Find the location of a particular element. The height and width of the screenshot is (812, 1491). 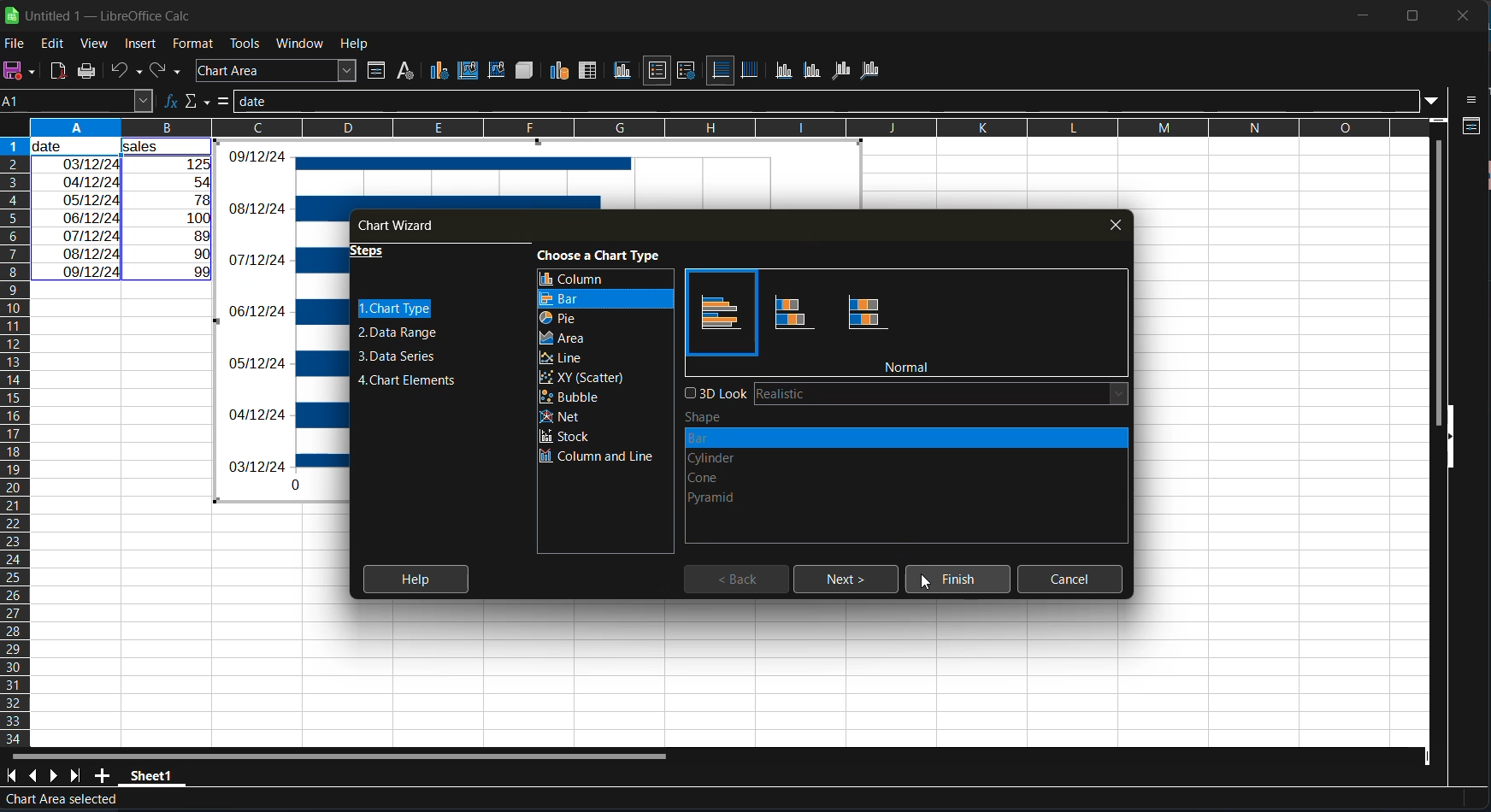

columns is located at coordinates (16, 438).